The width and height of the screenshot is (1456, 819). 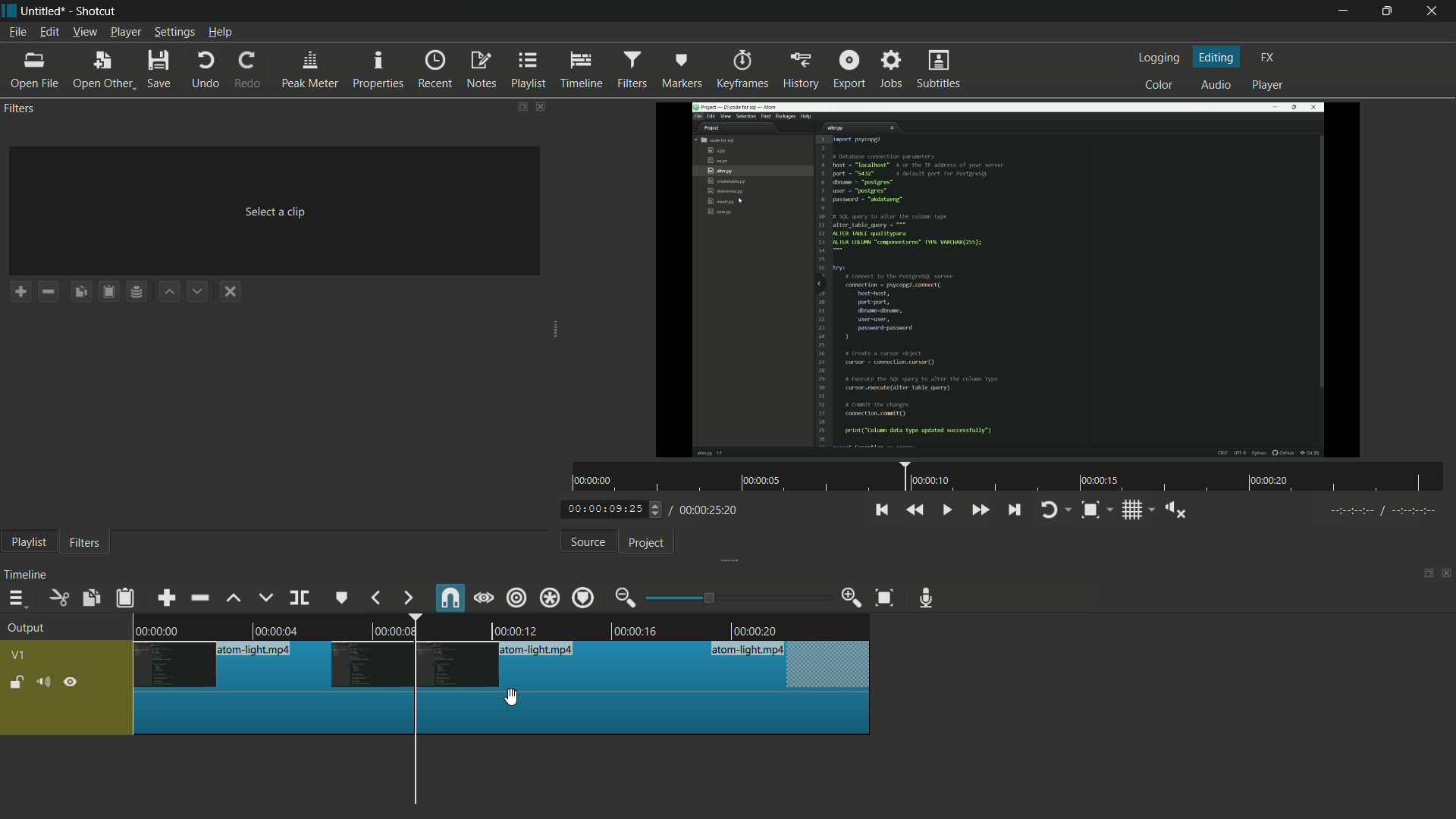 I want to click on jobs, so click(x=893, y=67).